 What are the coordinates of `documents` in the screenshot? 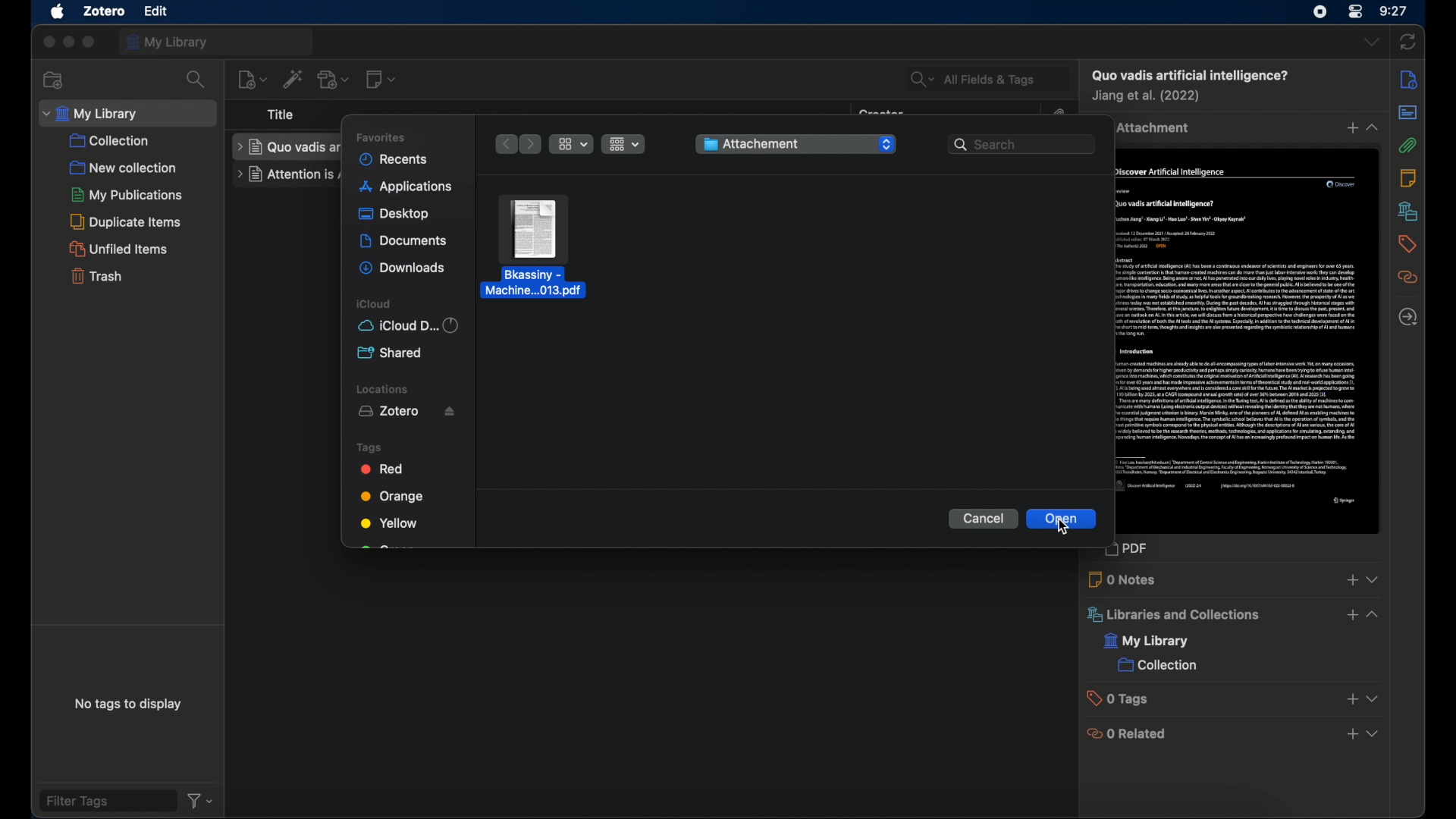 It's located at (404, 241).